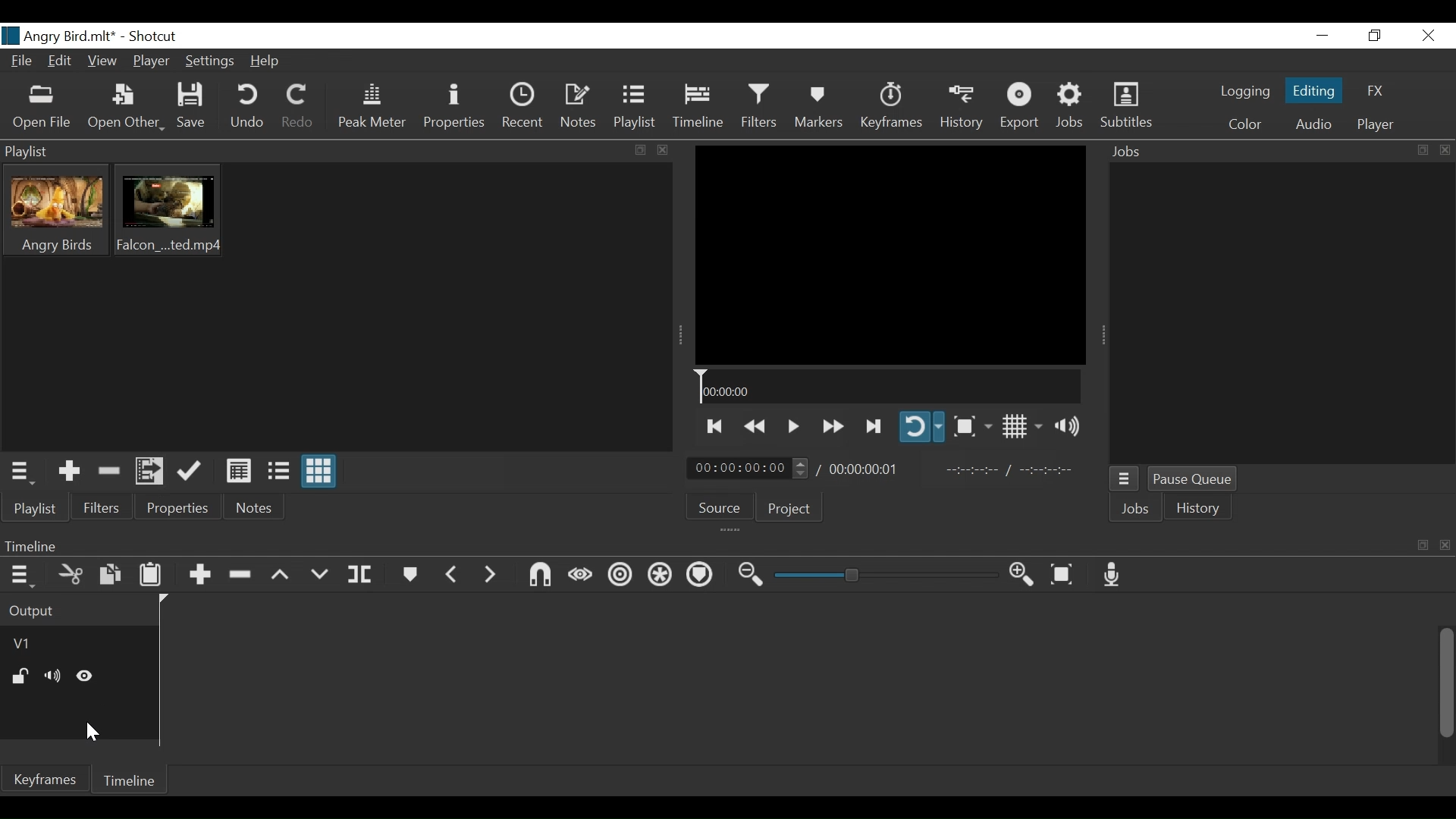  What do you see at coordinates (154, 36) in the screenshot?
I see `Shotcut` at bounding box center [154, 36].